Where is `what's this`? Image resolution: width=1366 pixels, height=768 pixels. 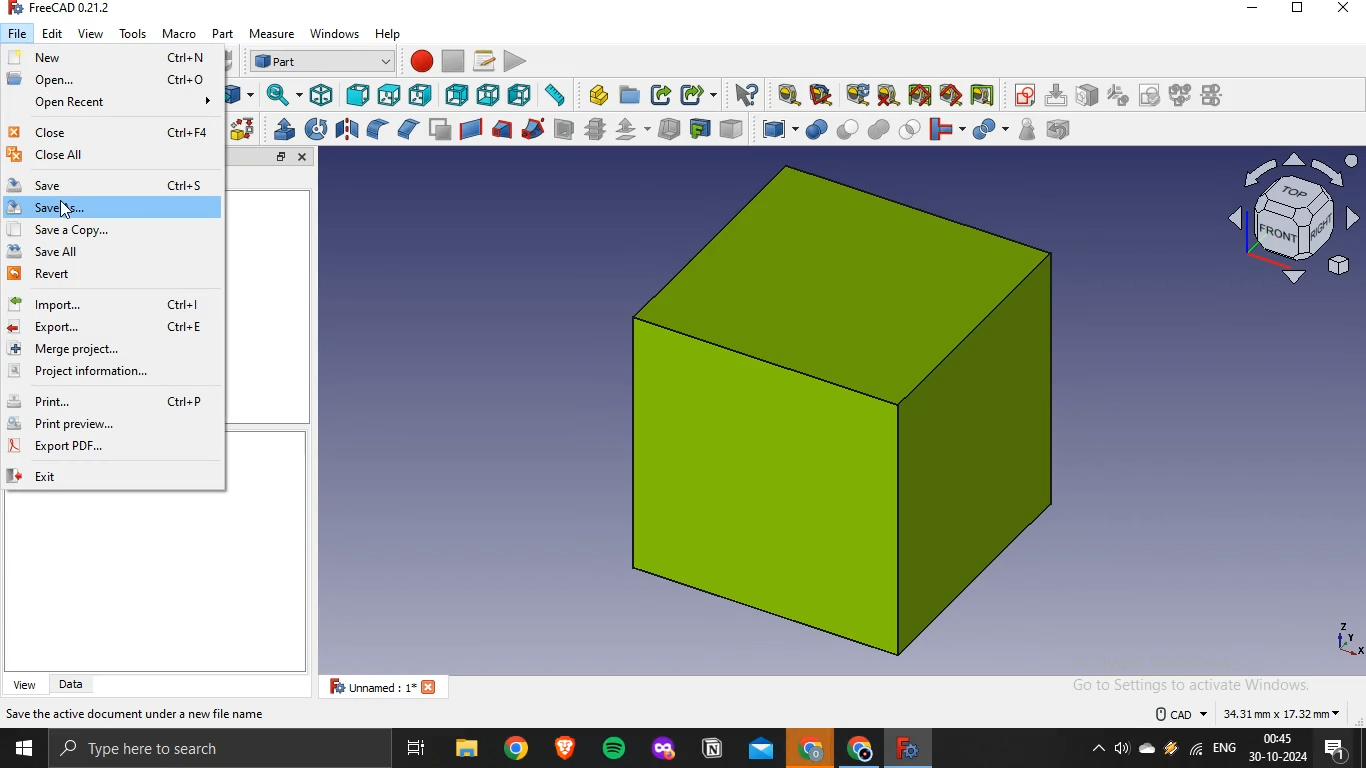
what's this is located at coordinates (747, 95).